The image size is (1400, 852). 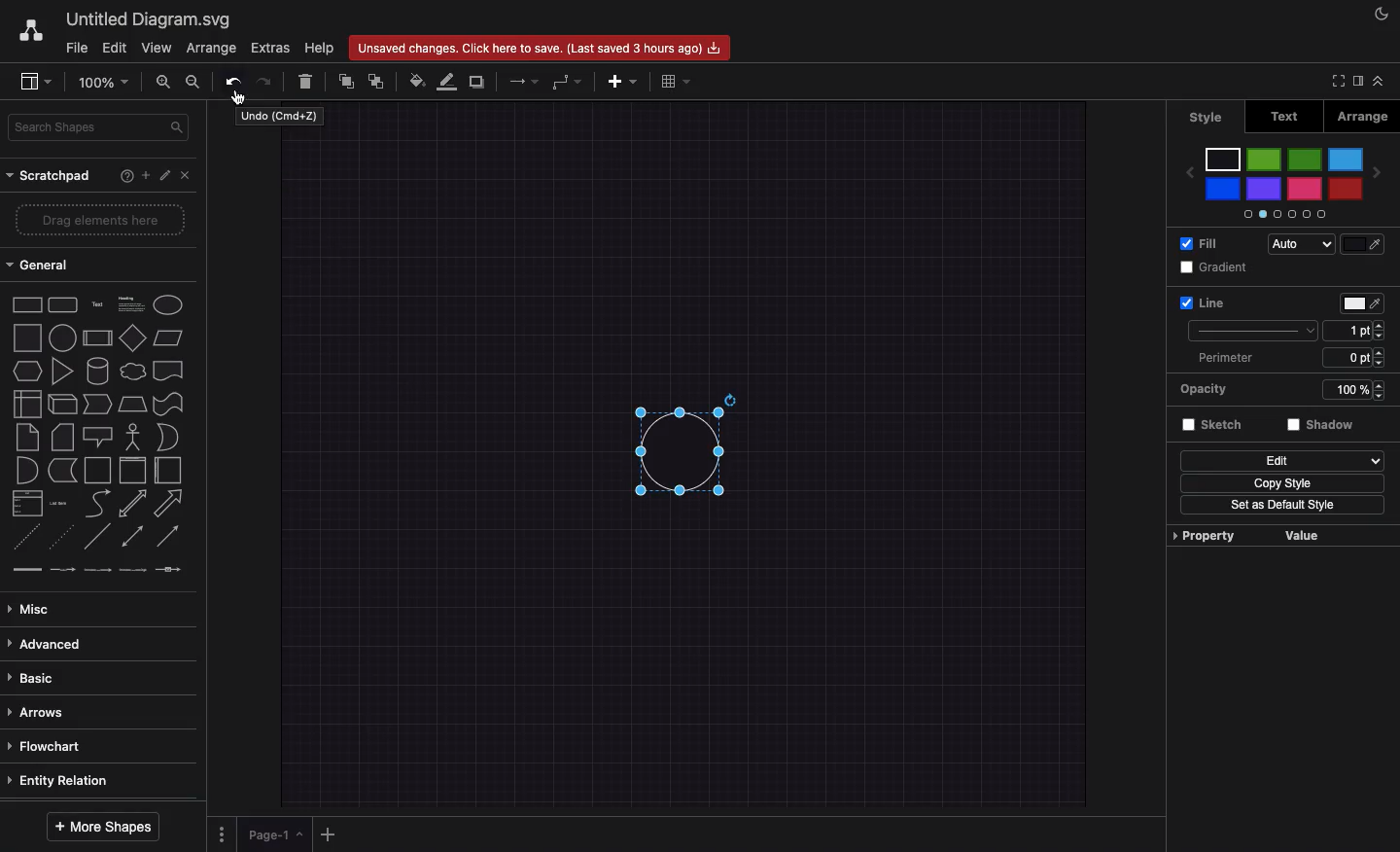 What do you see at coordinates (155, 49) in the screenshot?
I see `View` at bounding box center [155, 49].